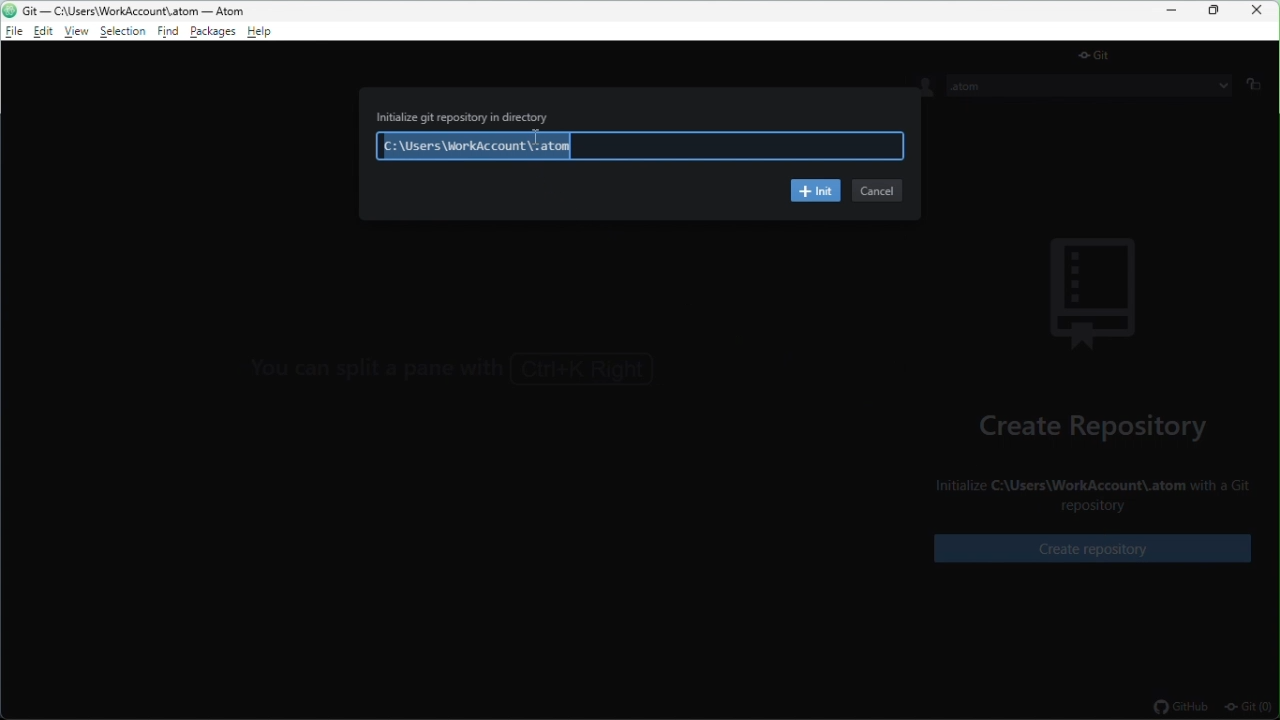  What do you see at coordinates (539, 135) in the screenshot?
I see `cursor` at bounding box center [539, 135].